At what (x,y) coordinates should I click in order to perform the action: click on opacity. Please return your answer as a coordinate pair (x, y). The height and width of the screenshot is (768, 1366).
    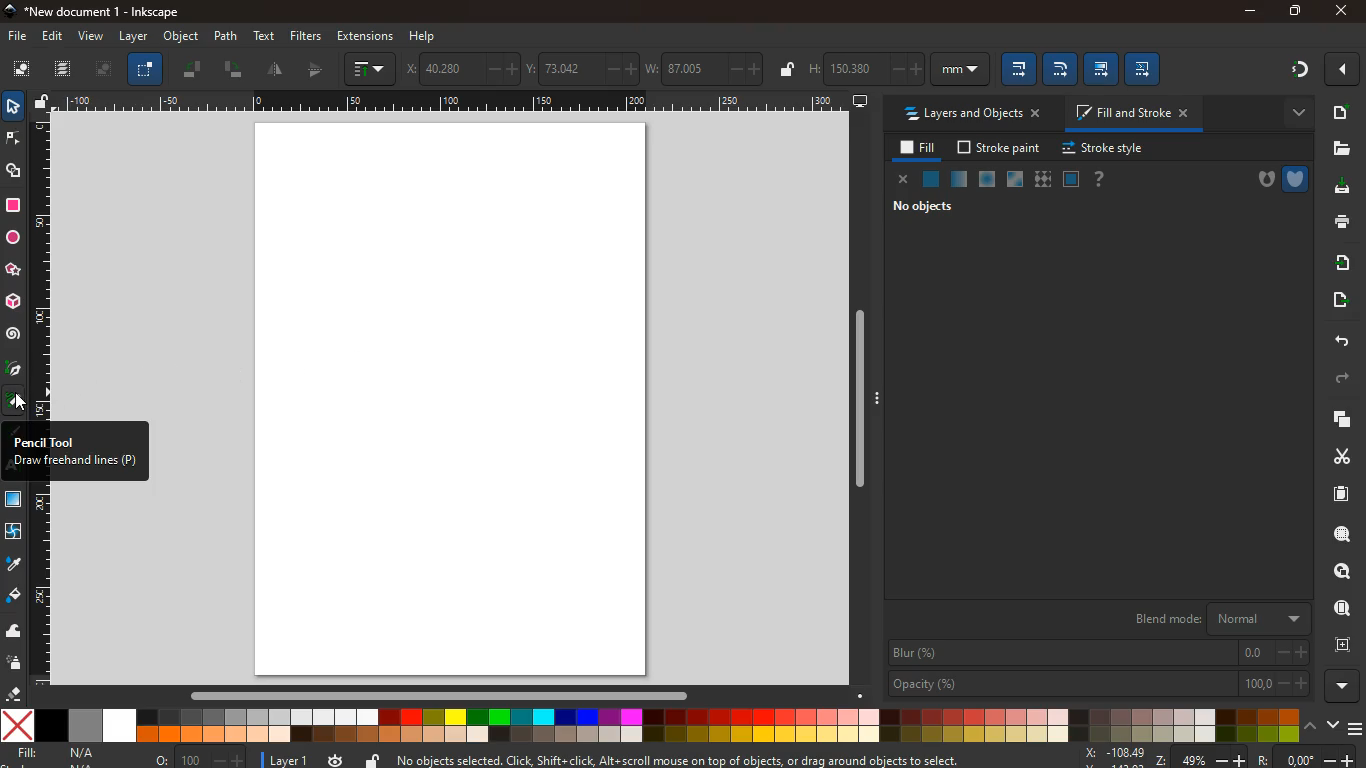
    Looking at the image, I should click on (1099, 684).